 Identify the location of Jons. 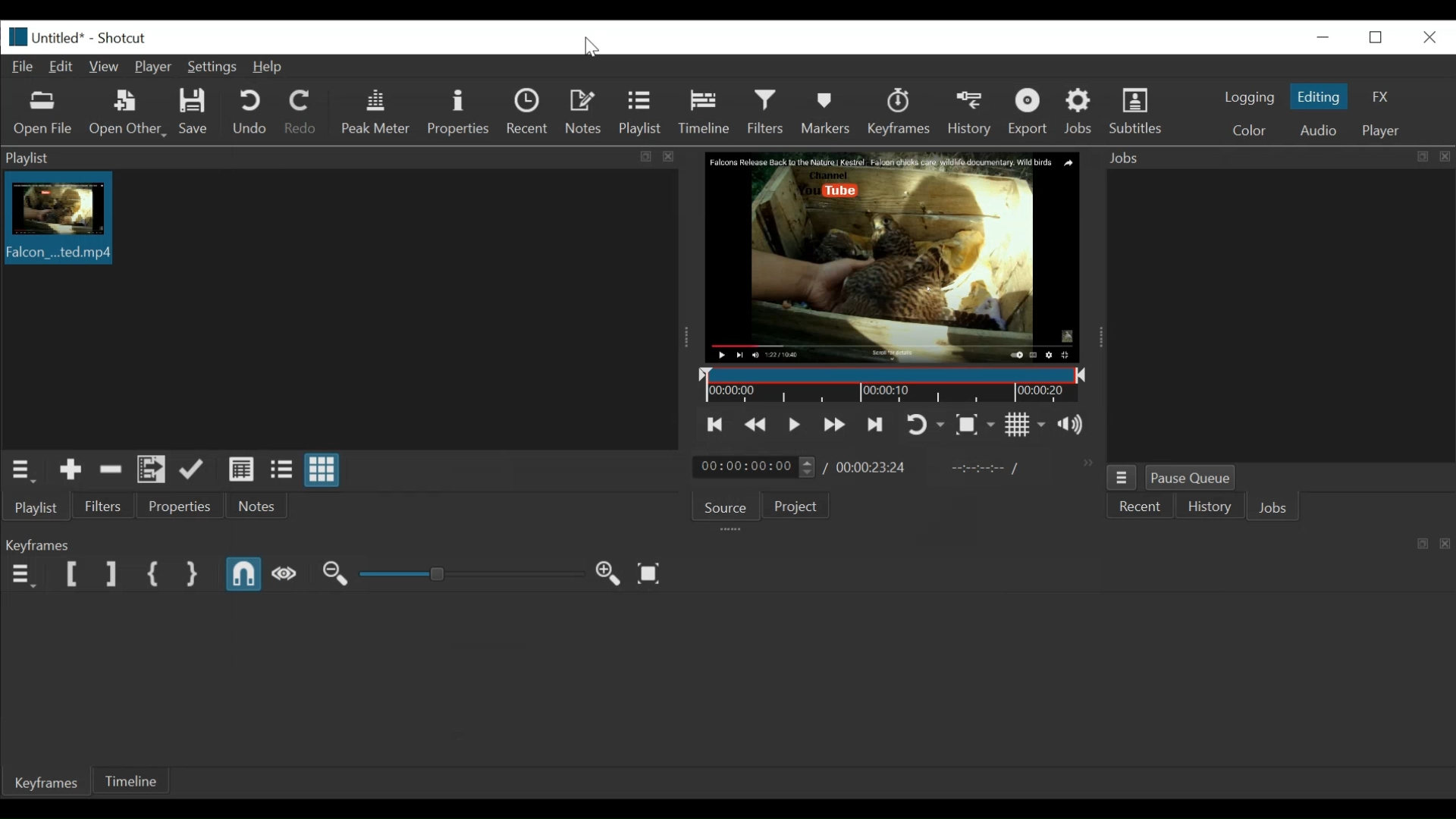
(1275, 509).